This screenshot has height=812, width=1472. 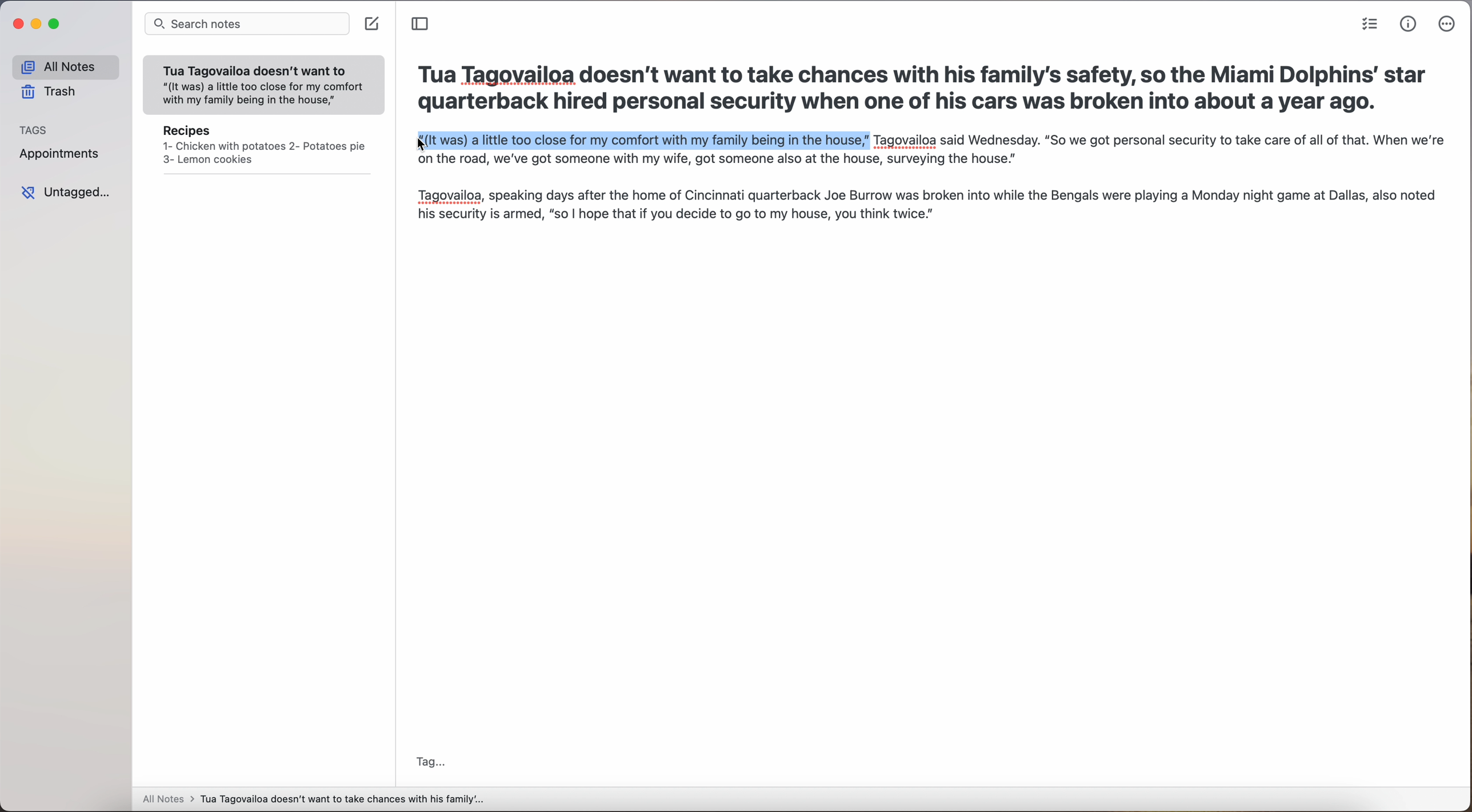 What do you see at coordinates (421, 24) in the screenshot?
I see `toggle sidebar` at bounding box center [421, 24].